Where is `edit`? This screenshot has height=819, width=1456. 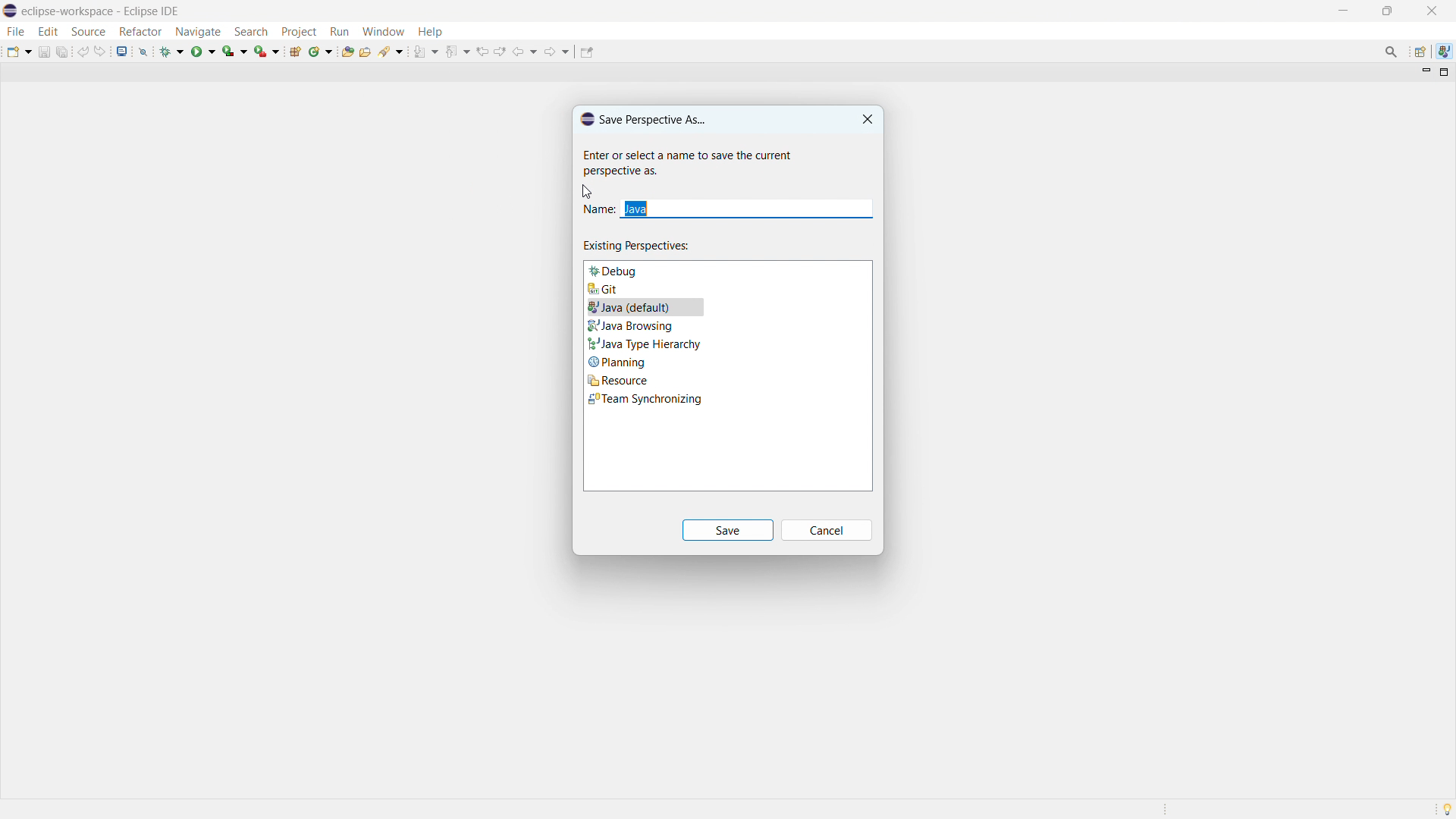
edit is located at coordinates (49, 31).